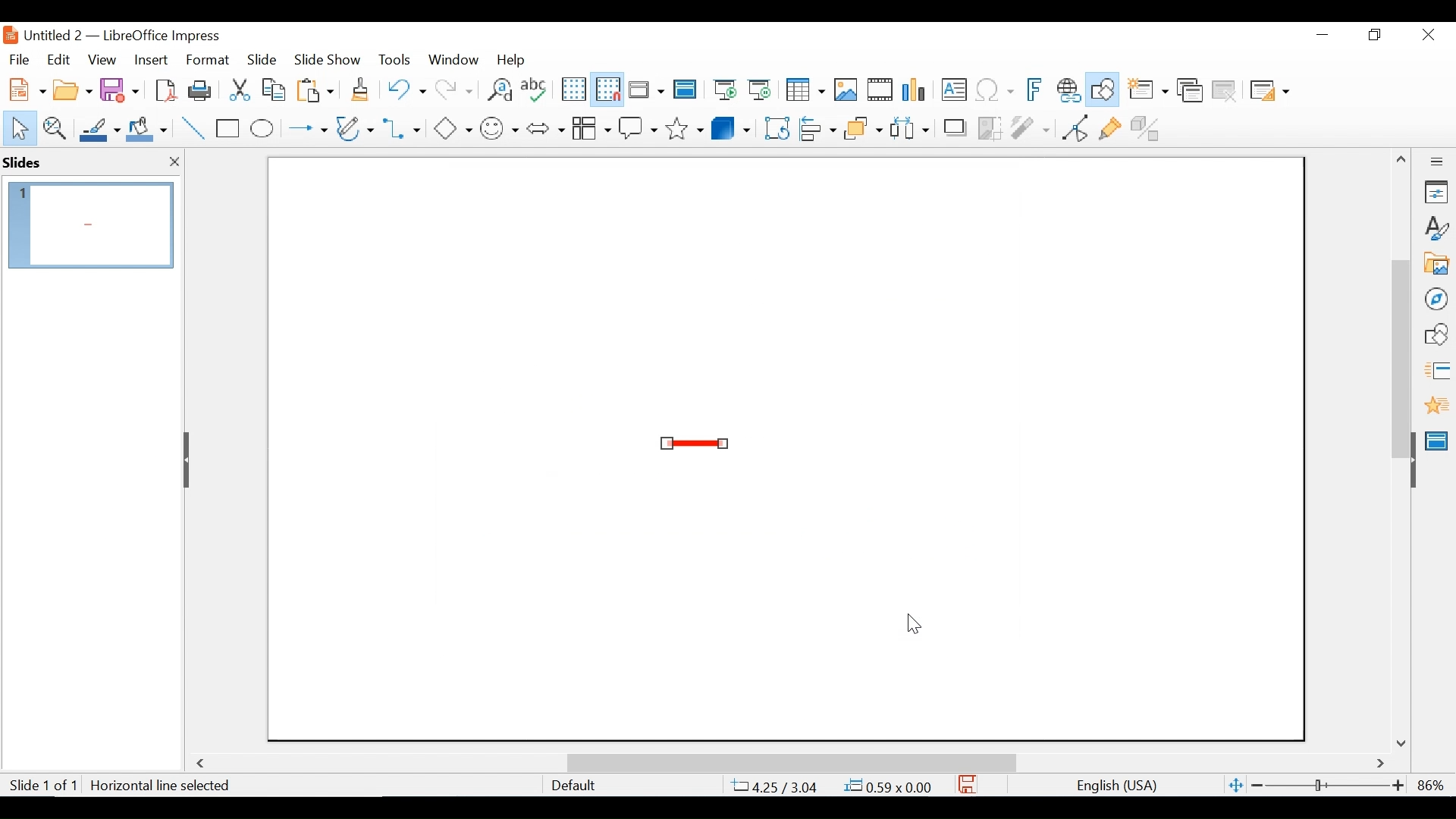  Describe the element at coordinates (515, 59) in the screenshot. I see `Help` at that location.